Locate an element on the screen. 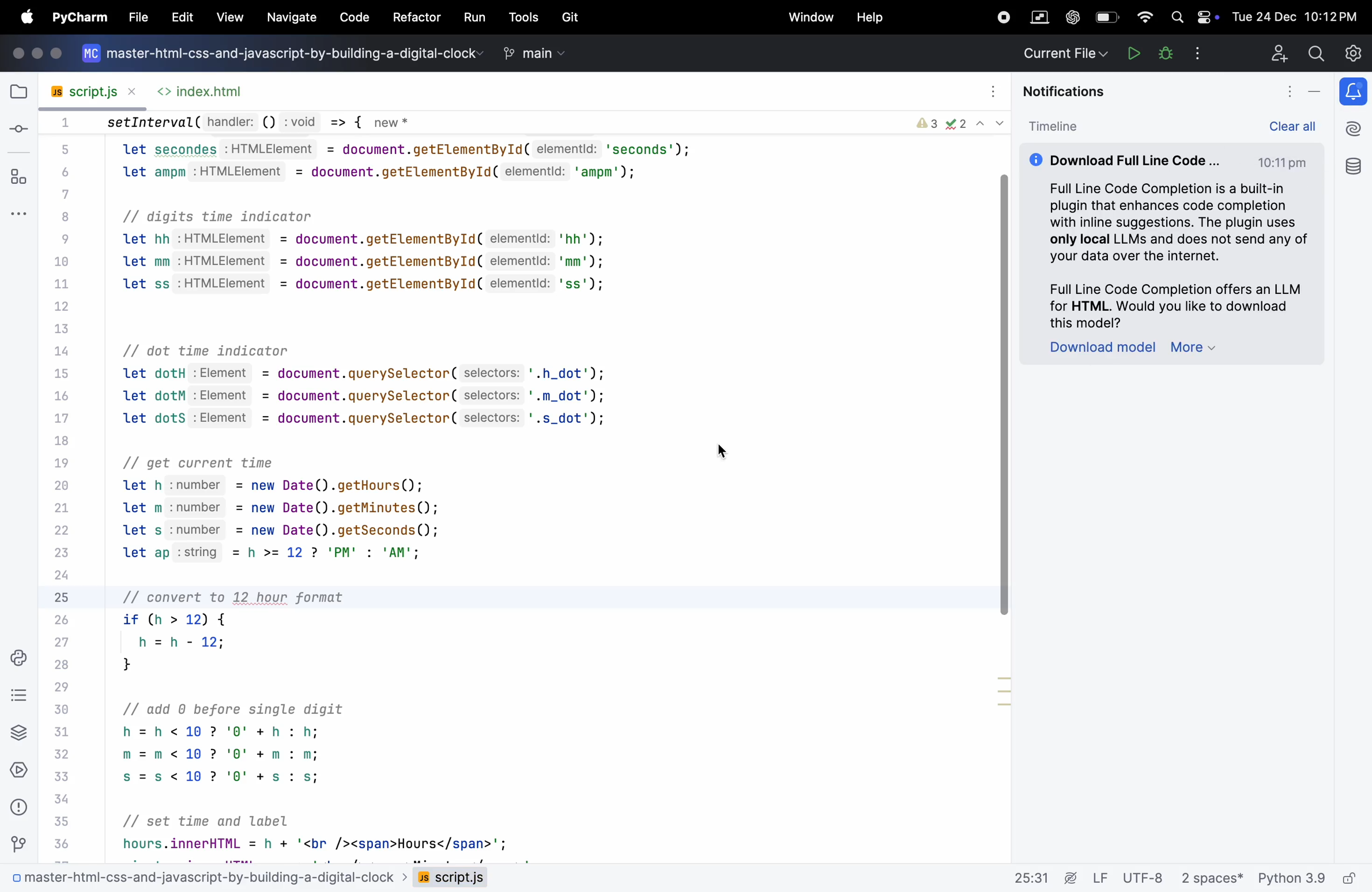 Image resolution: width=1372 pixels, height=892 pixels. logo is located at coordinates (90, 58).